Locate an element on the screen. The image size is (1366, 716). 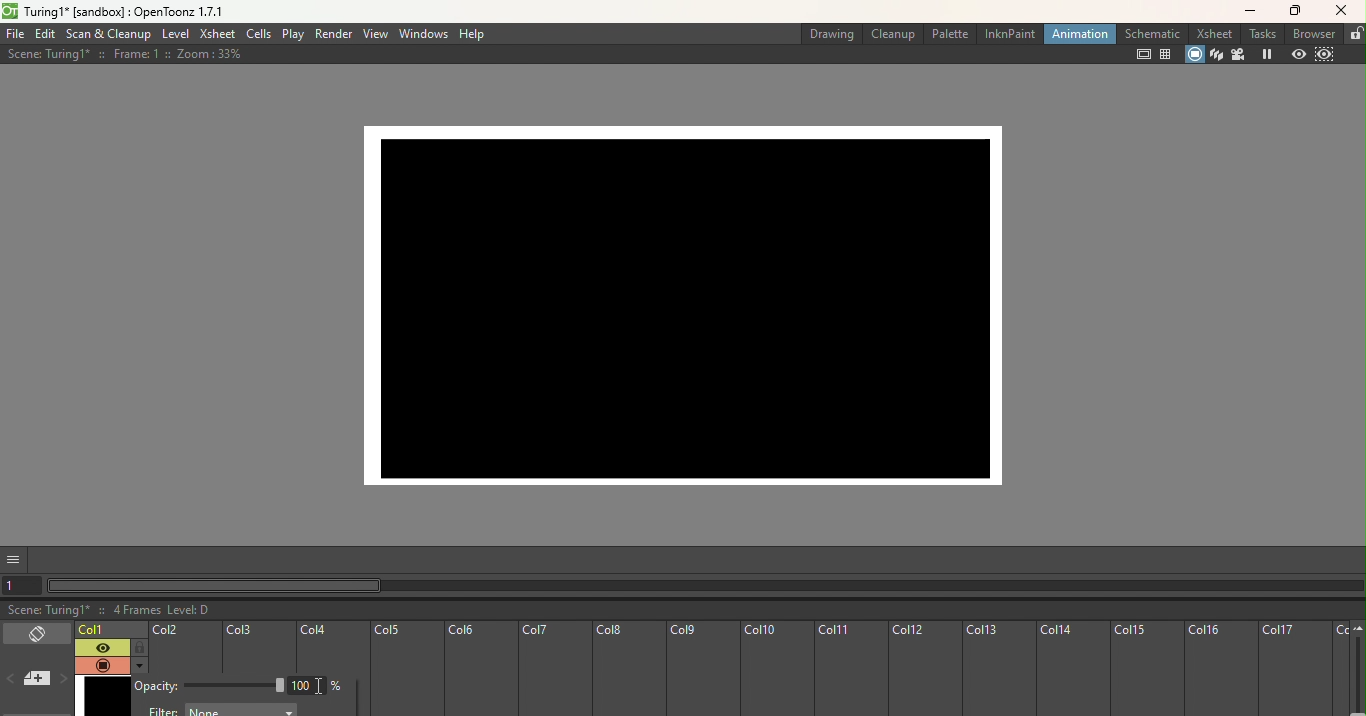
Camera stand view is located at coordinates (1195, 56).